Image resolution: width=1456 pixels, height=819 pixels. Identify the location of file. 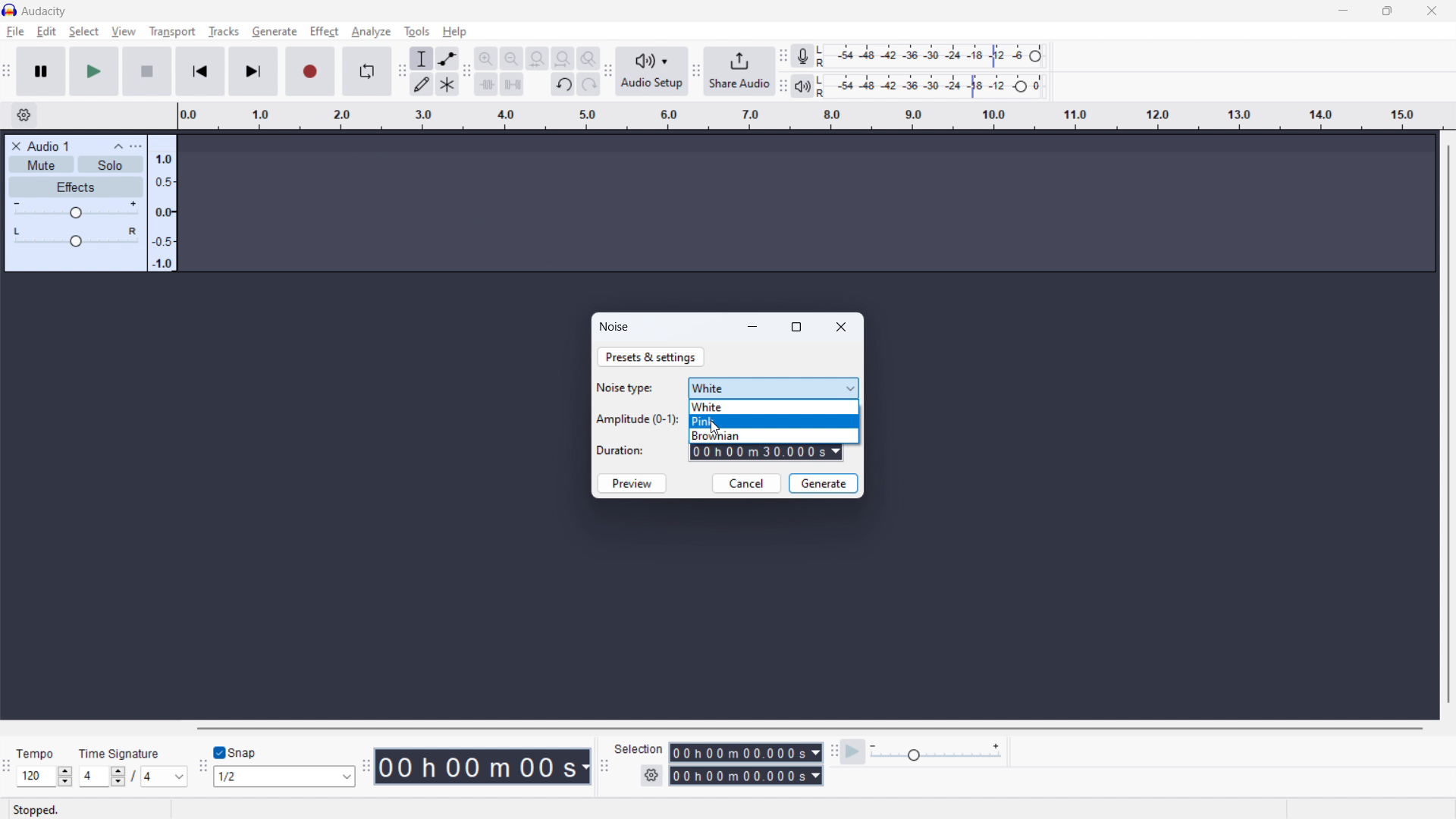
(15, 32).